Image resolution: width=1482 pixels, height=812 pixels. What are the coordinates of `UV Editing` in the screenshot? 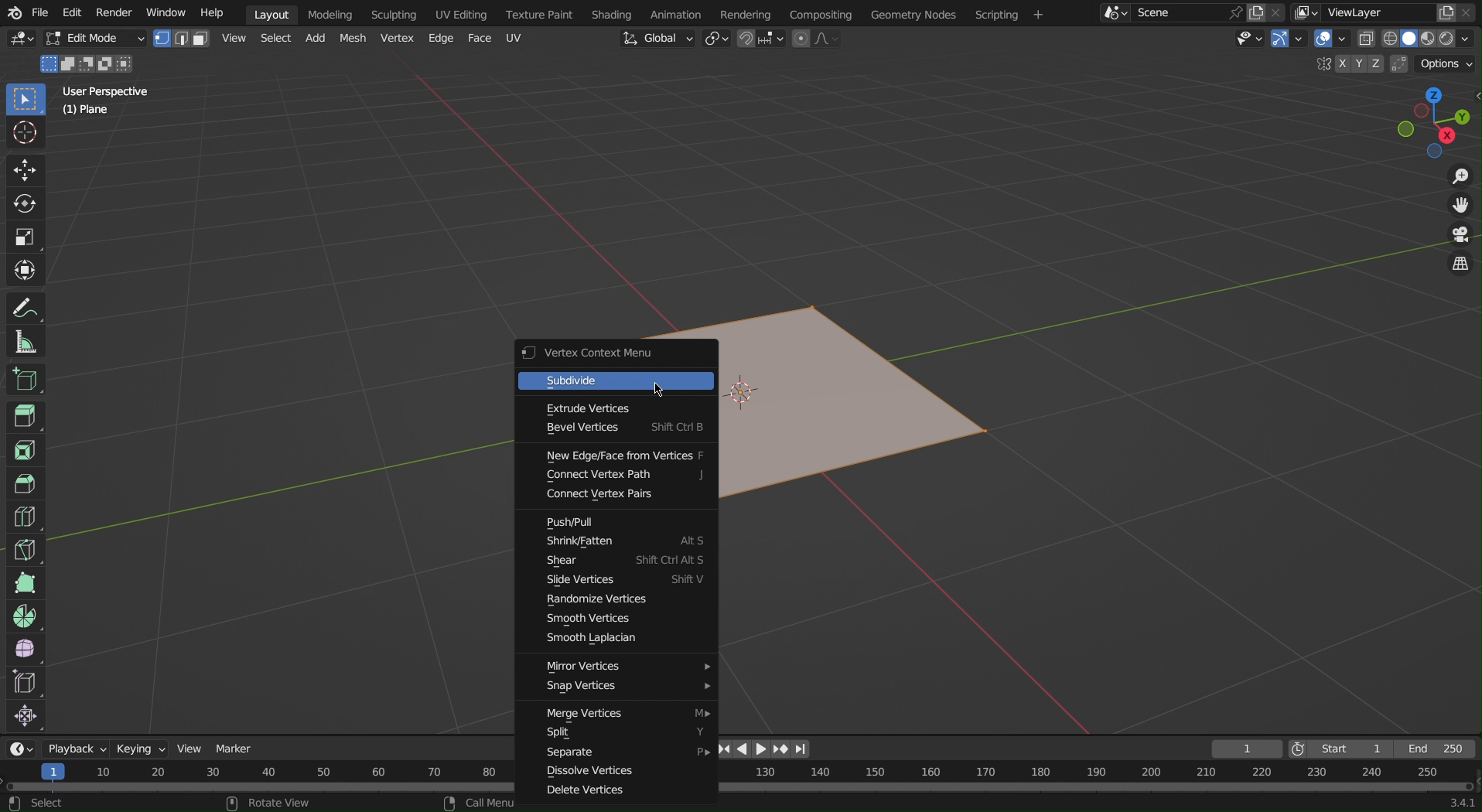 It's located at (459, 12).